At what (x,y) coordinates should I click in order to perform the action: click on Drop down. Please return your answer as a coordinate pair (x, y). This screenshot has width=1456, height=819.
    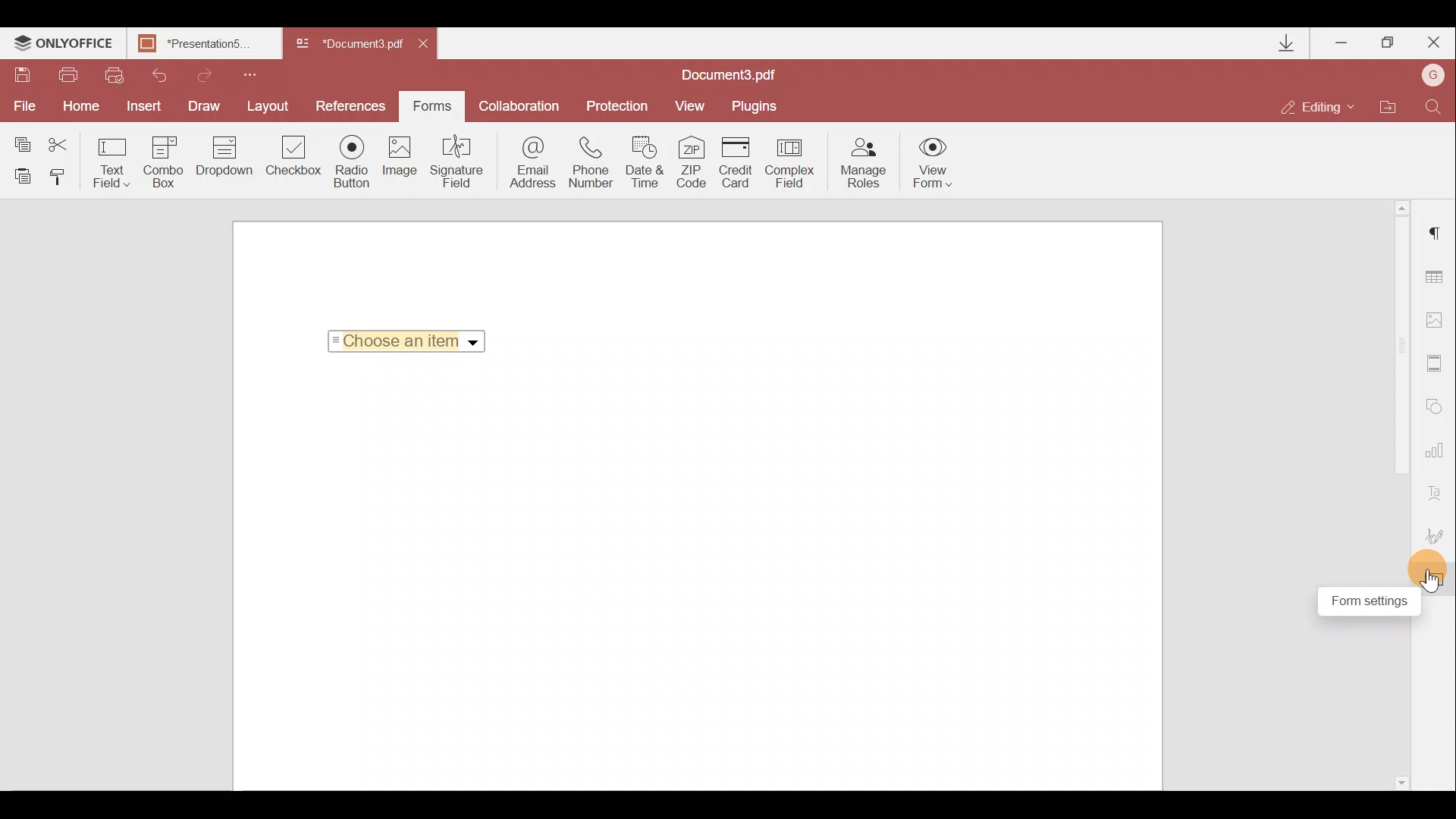
    Looking at the image, I should click on (224, 158).